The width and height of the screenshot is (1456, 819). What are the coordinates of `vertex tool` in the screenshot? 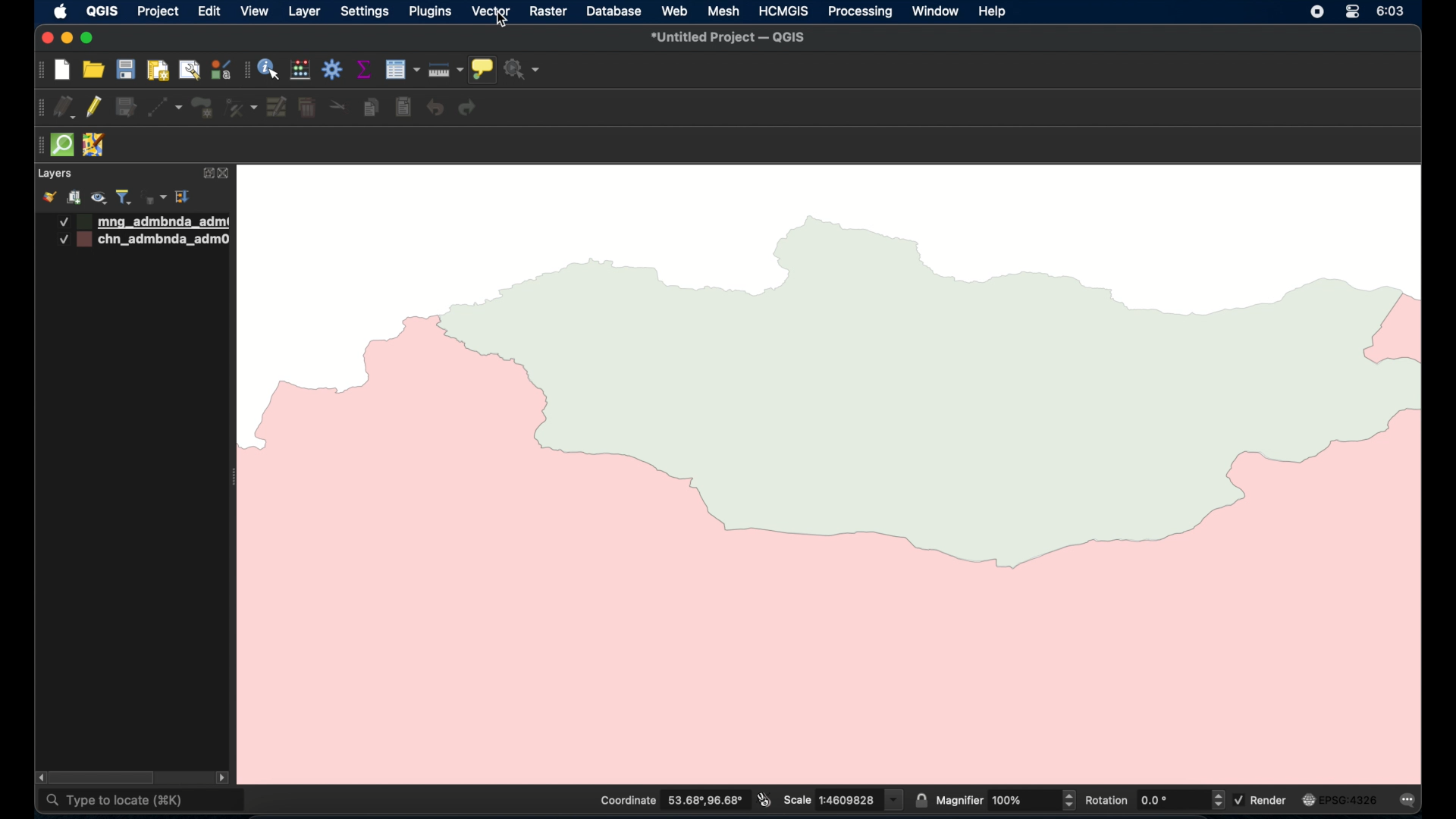 It's located at (241, 108).